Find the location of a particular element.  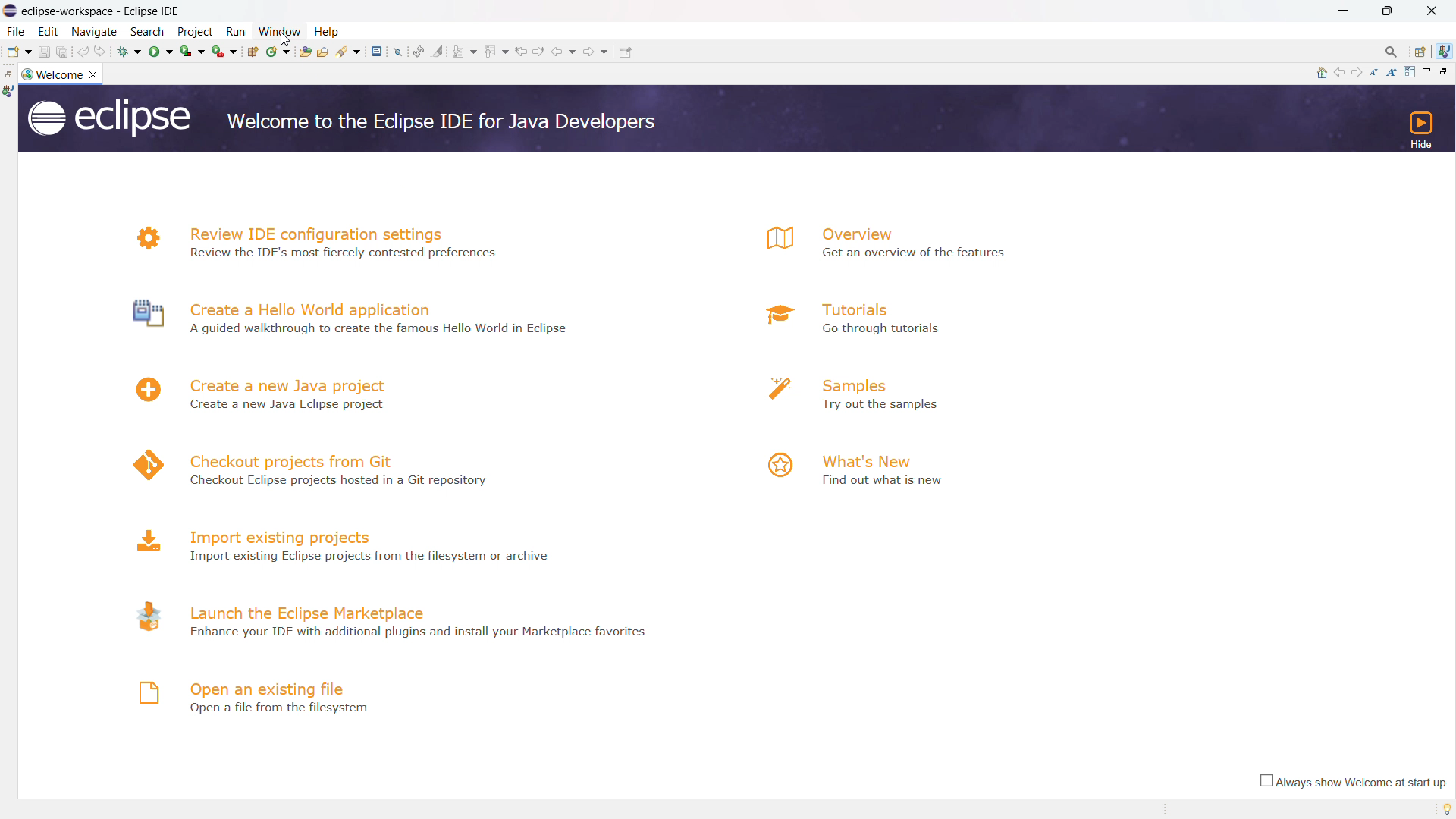

previous annotation is located at coordinates (494, 52).